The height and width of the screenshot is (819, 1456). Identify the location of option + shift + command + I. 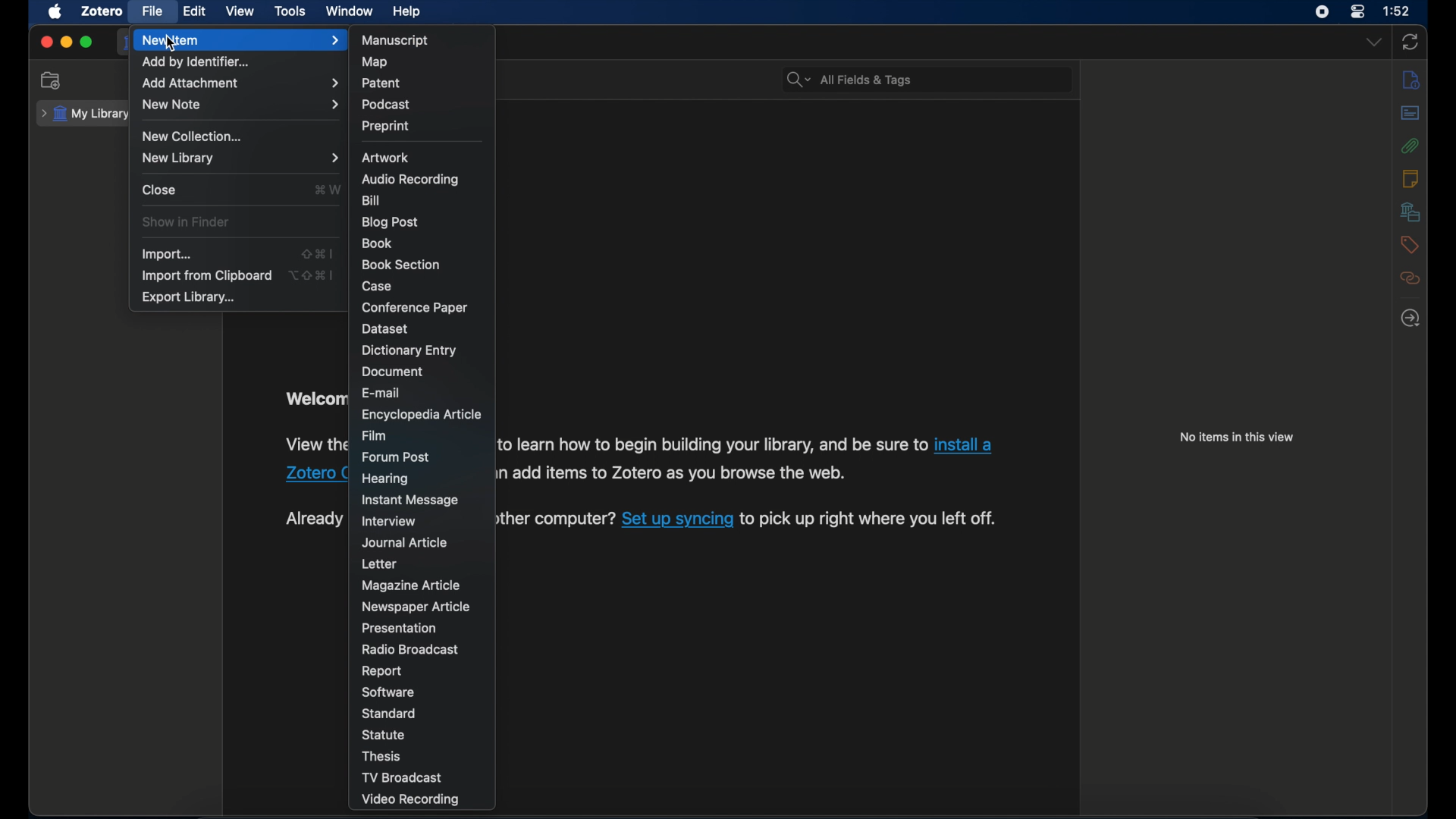
(313, 275).